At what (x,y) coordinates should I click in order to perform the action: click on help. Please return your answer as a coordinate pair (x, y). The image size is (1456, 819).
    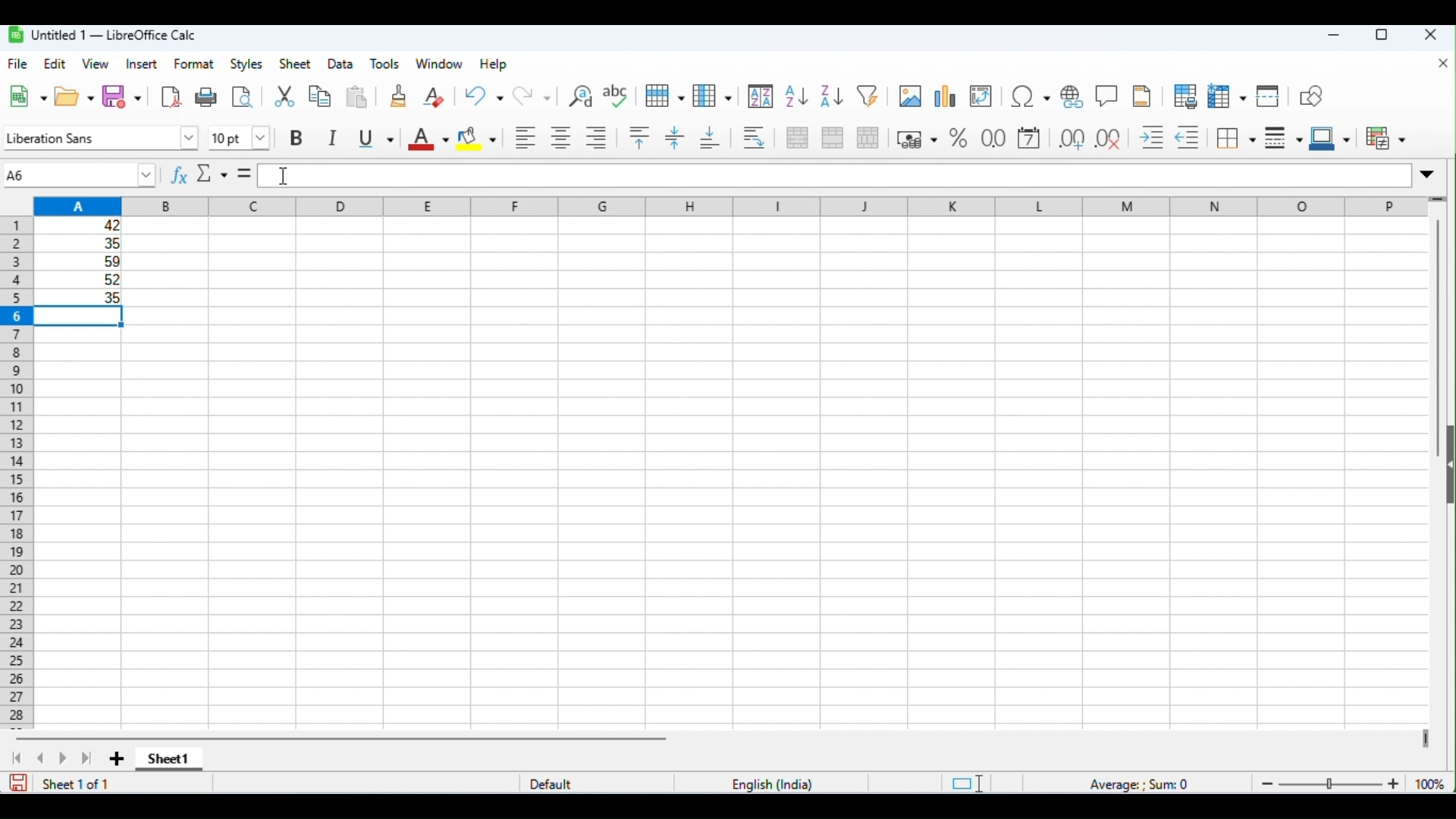
    Looking at the image, I should click on (497, 65).